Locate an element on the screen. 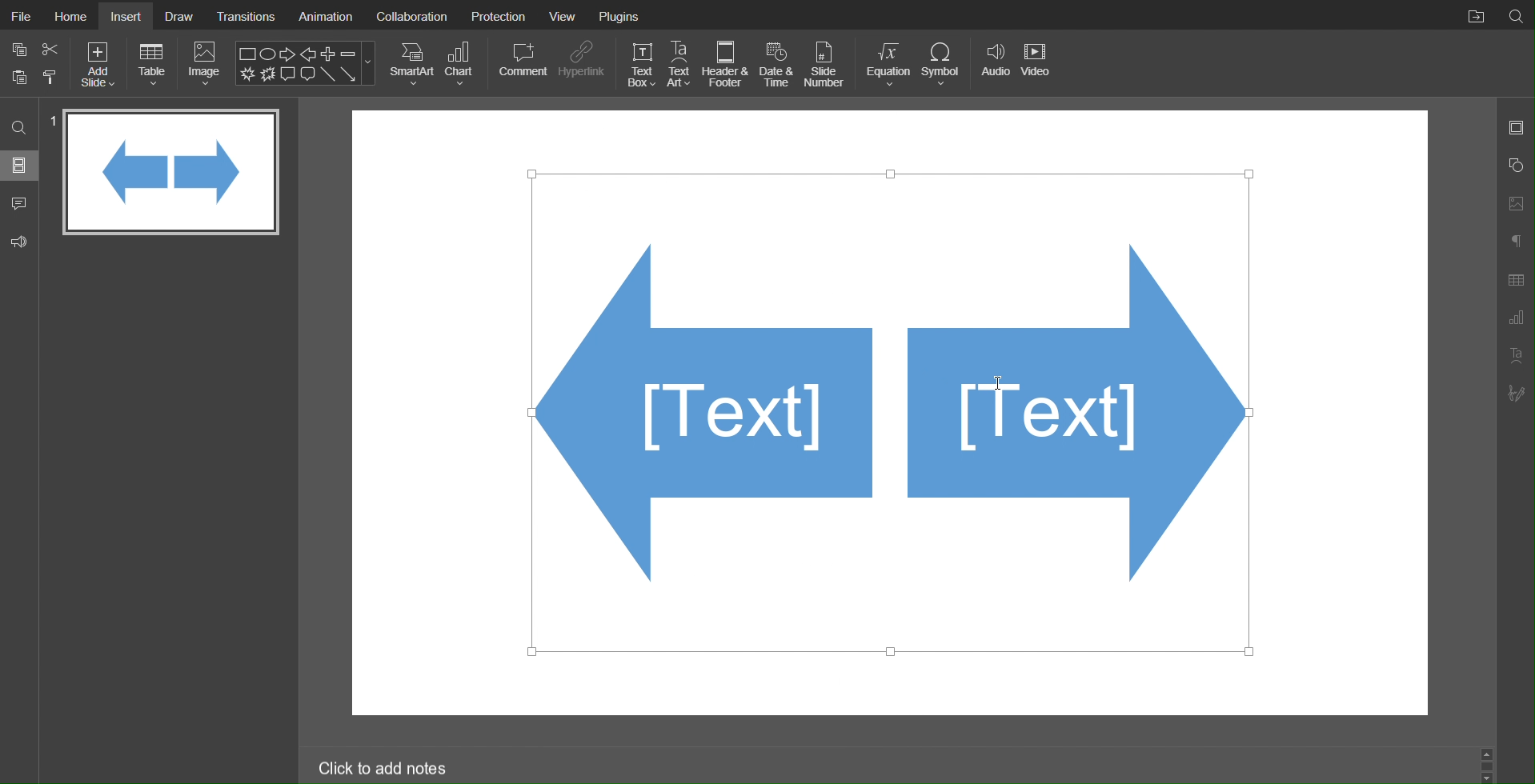 The image size is (1535, 784). Table Settings is located at coordinates (1516, 279).